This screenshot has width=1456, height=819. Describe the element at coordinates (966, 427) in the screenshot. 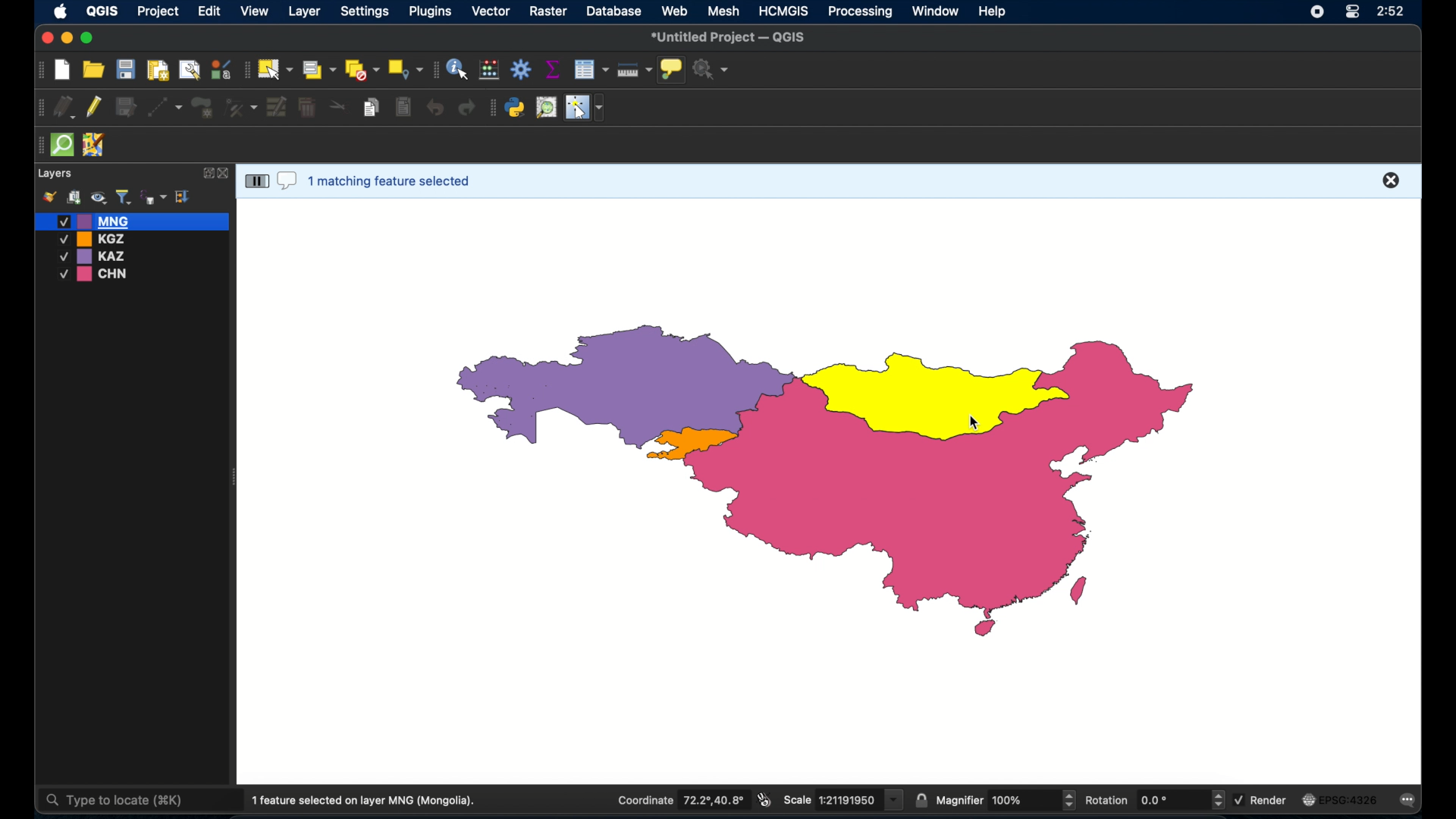

I see `cursor` at that location.